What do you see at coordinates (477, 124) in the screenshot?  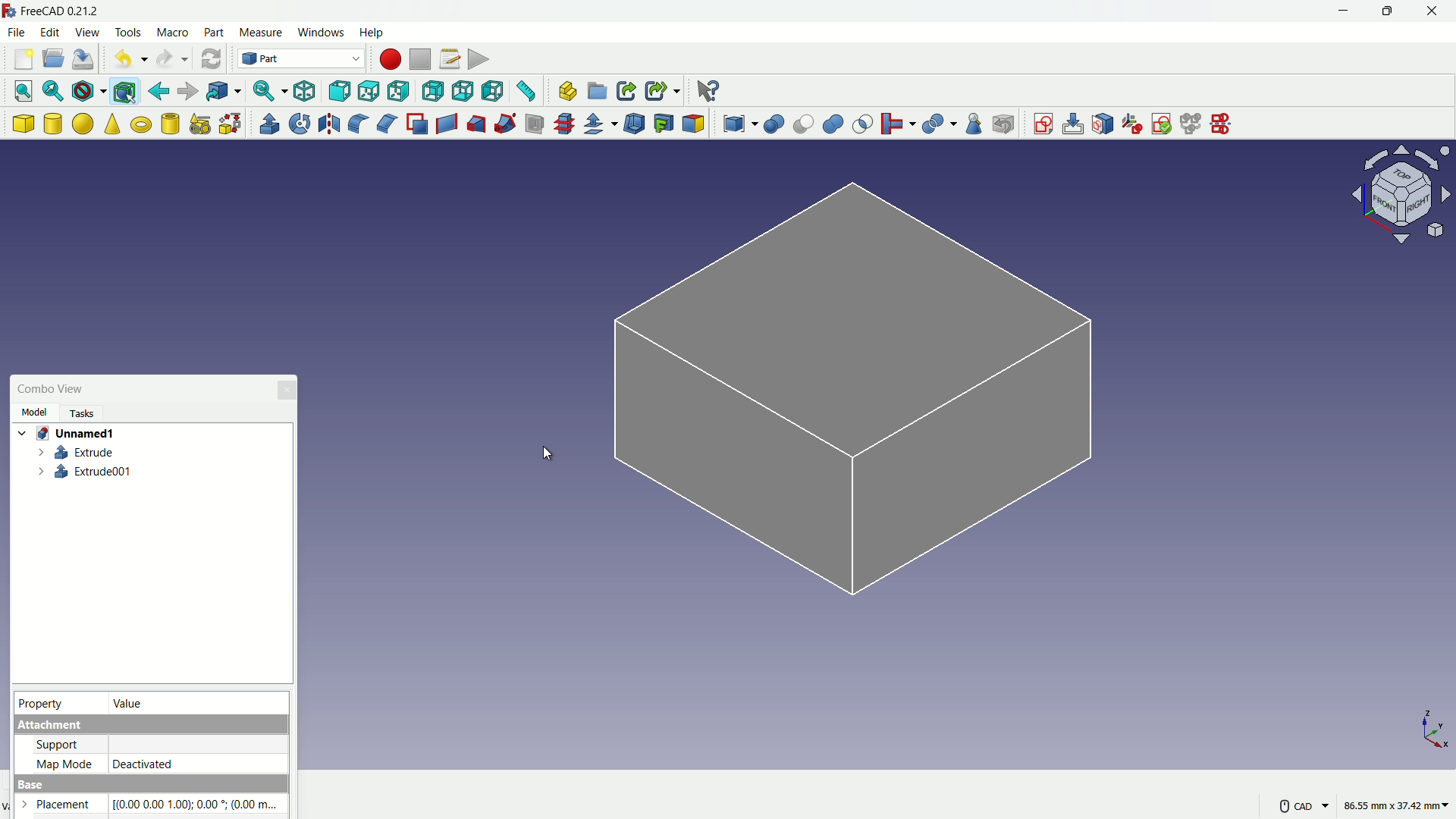 I see `loft` at bounding box center [477, 124].